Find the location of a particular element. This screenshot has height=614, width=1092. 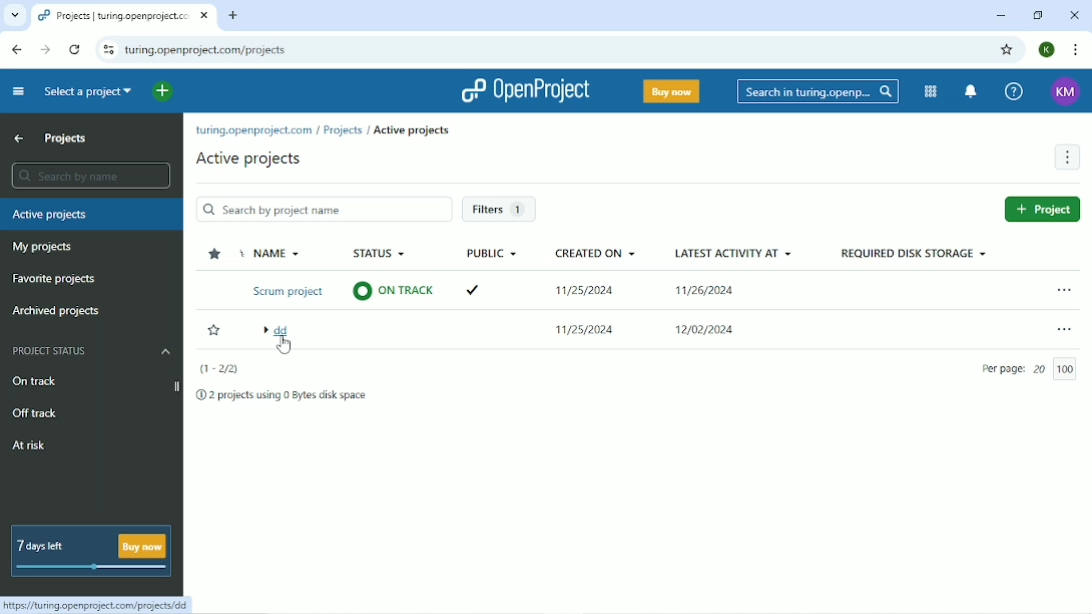

Add to favorits is located at coordinates (216, 329).